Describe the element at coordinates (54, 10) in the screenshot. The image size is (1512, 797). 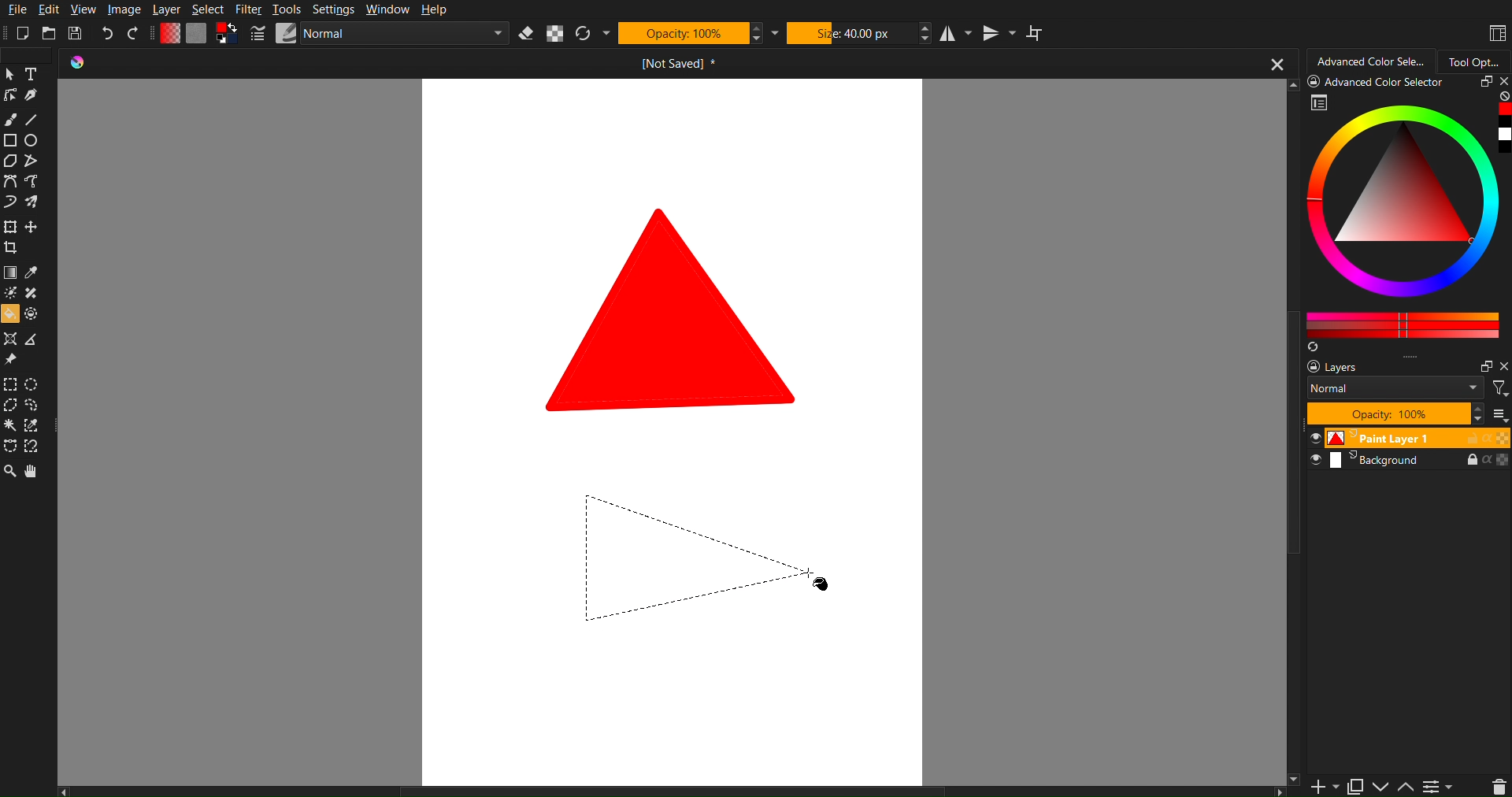
I see `Edit` at that location.